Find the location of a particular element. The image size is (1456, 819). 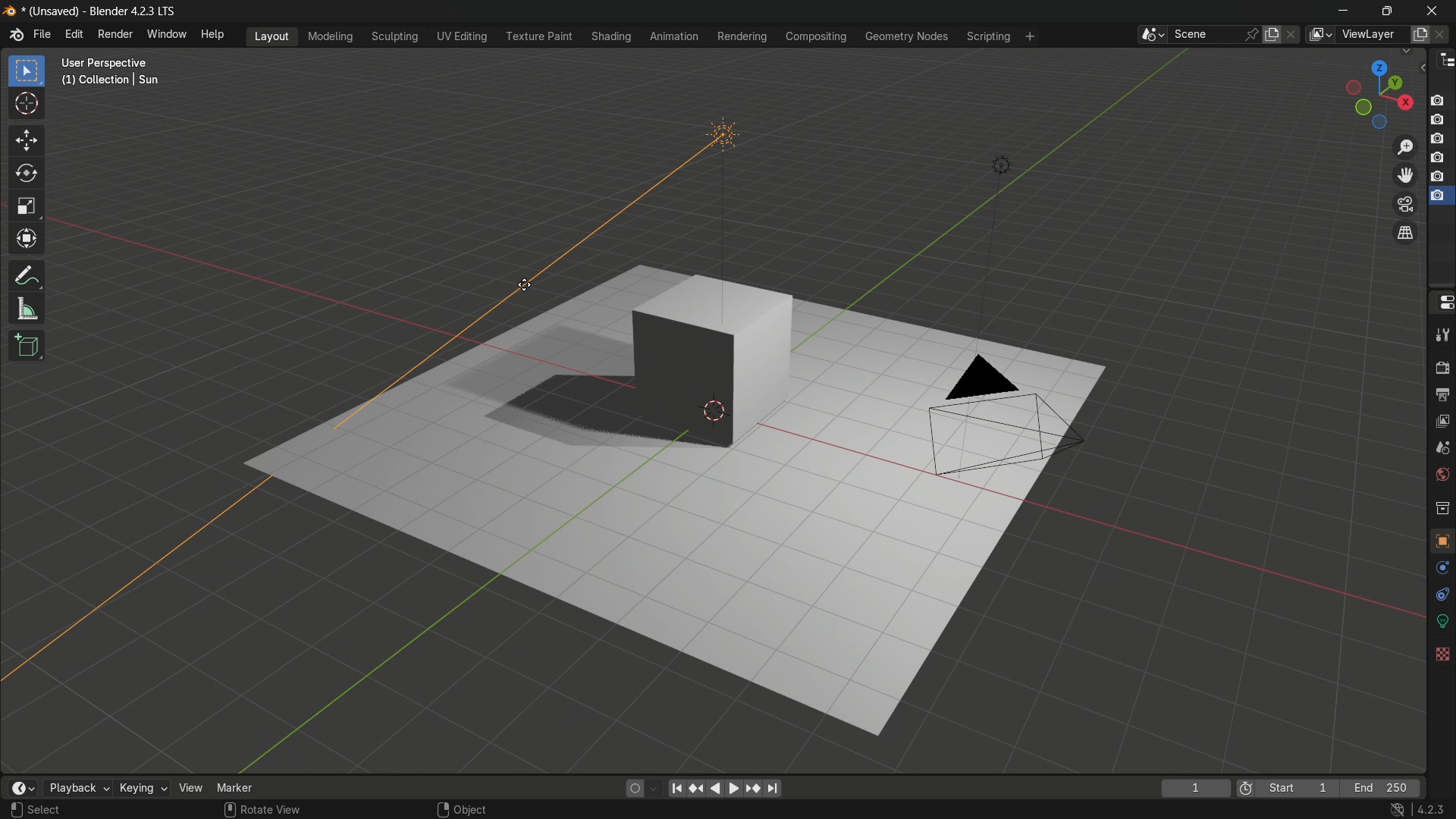

auto keyframing is located at coordinates (654, 789).